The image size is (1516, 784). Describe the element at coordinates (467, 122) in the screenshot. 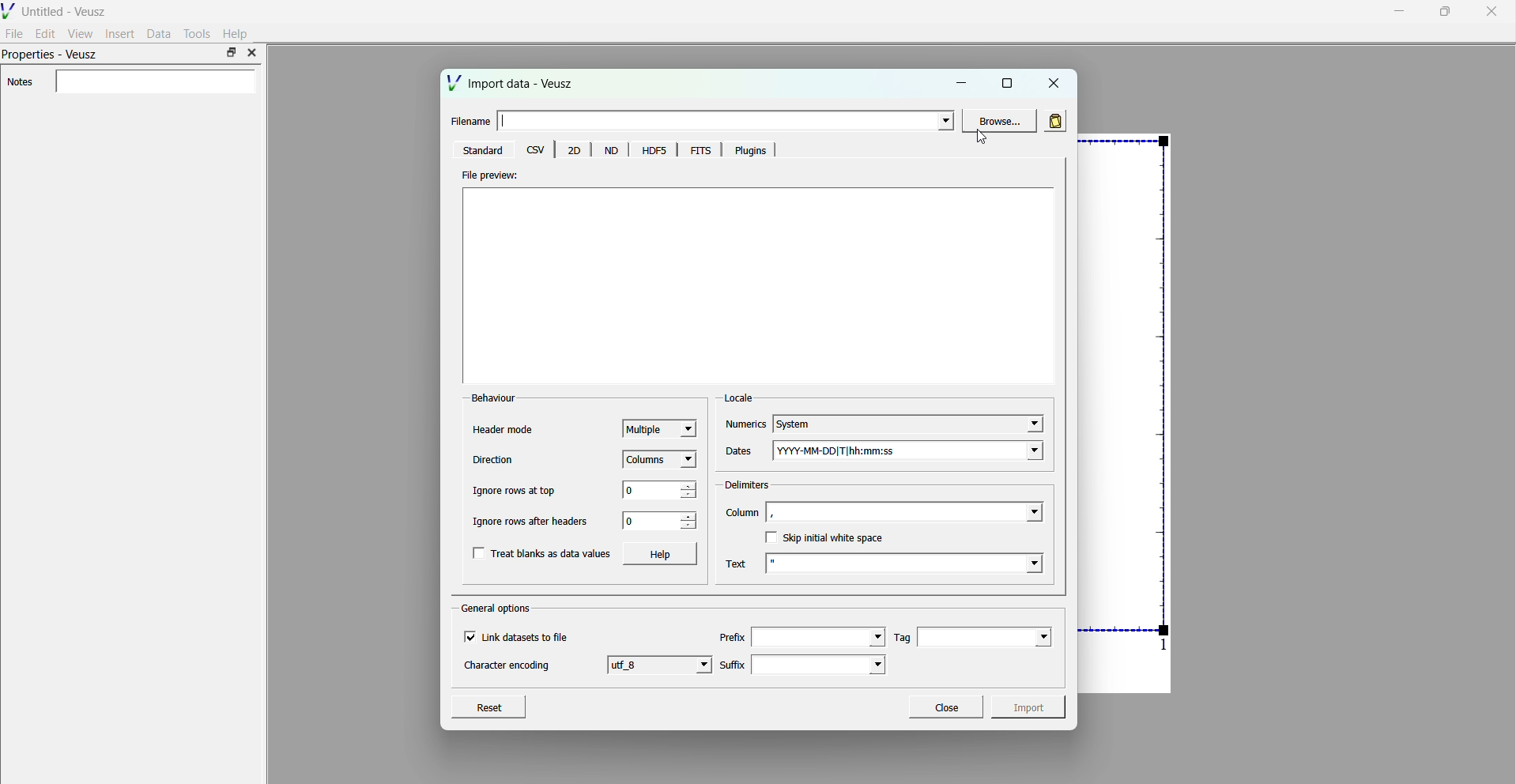

I see `Filename` at that location.